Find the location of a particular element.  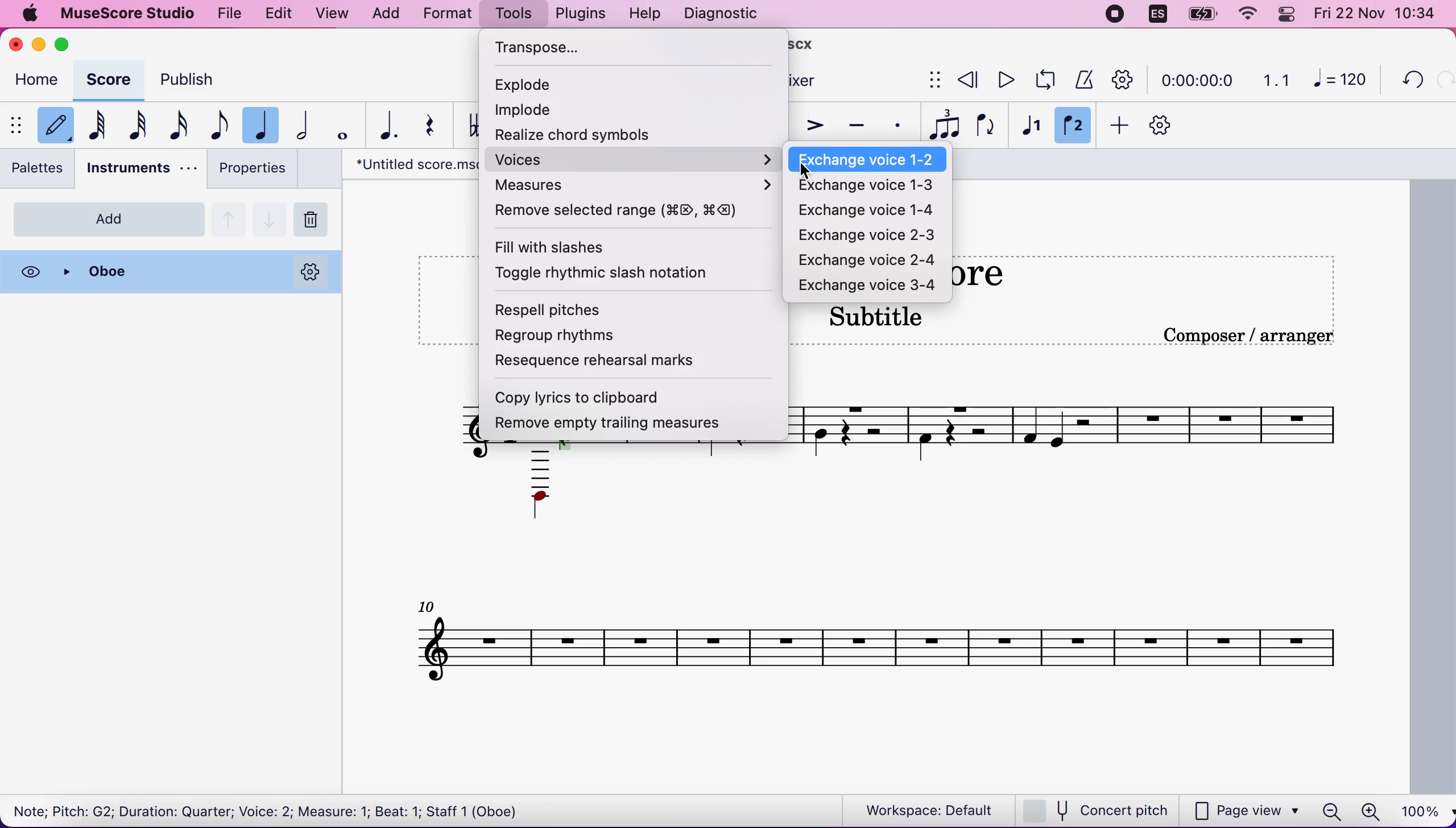

exchange voice 1-2 is located at coordinates (867, 161).